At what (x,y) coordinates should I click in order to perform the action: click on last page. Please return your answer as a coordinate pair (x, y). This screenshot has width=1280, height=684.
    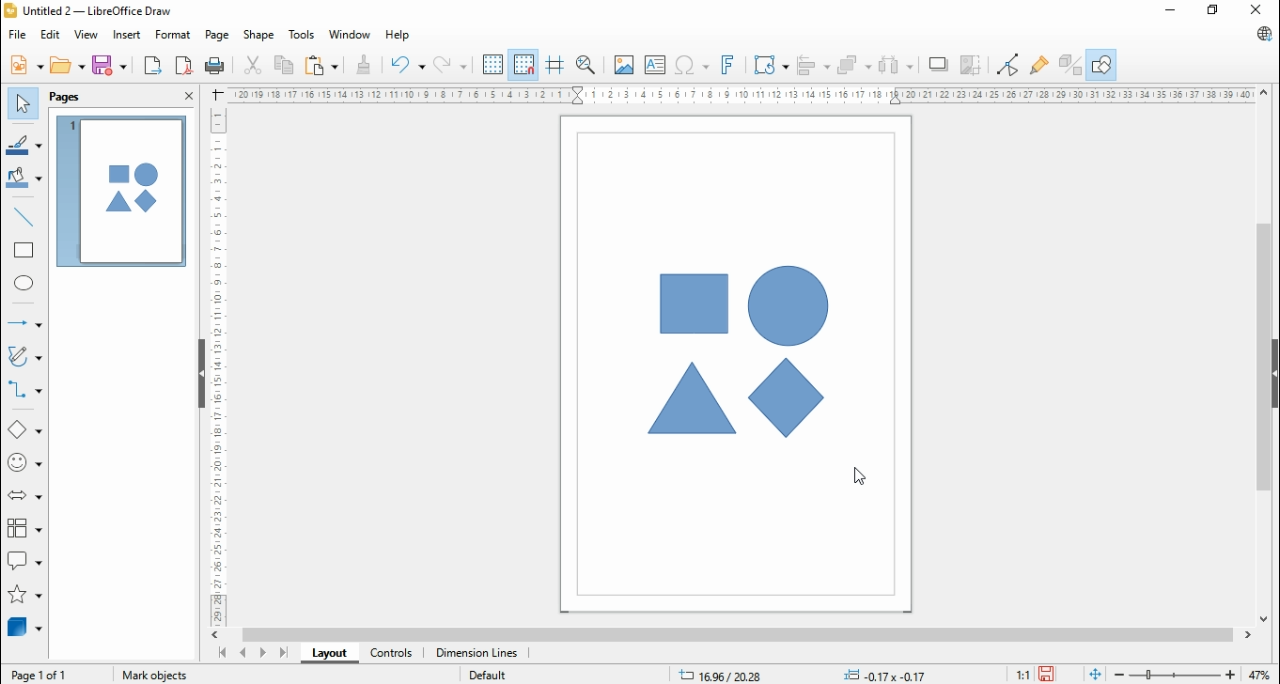
    Looking at the image, I should click on (283, 653).